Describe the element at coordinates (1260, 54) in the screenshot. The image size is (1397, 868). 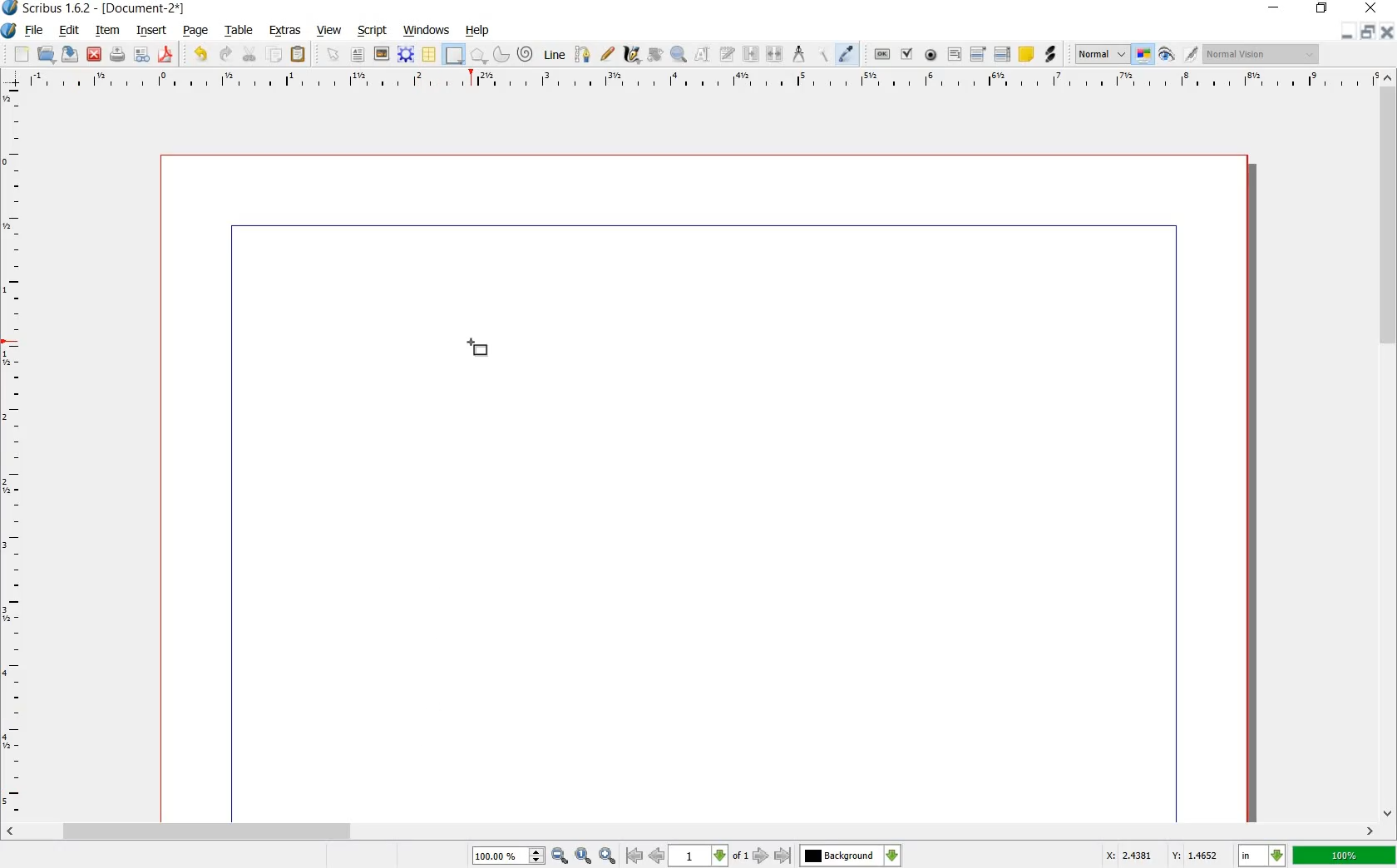
I see `Normal vision` at that location.